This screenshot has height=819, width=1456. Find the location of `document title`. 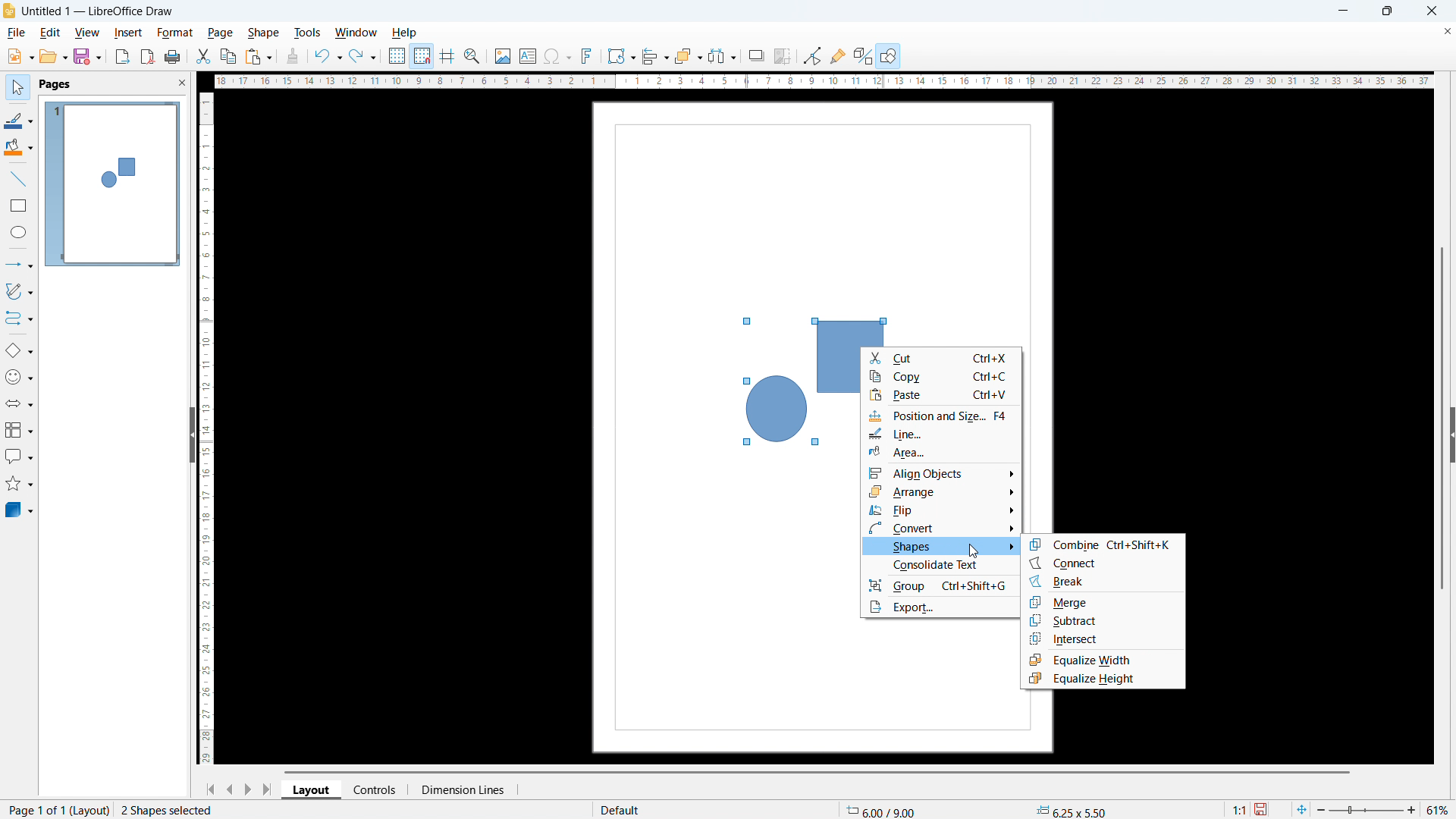

document title is located at coordinates (98, 11).